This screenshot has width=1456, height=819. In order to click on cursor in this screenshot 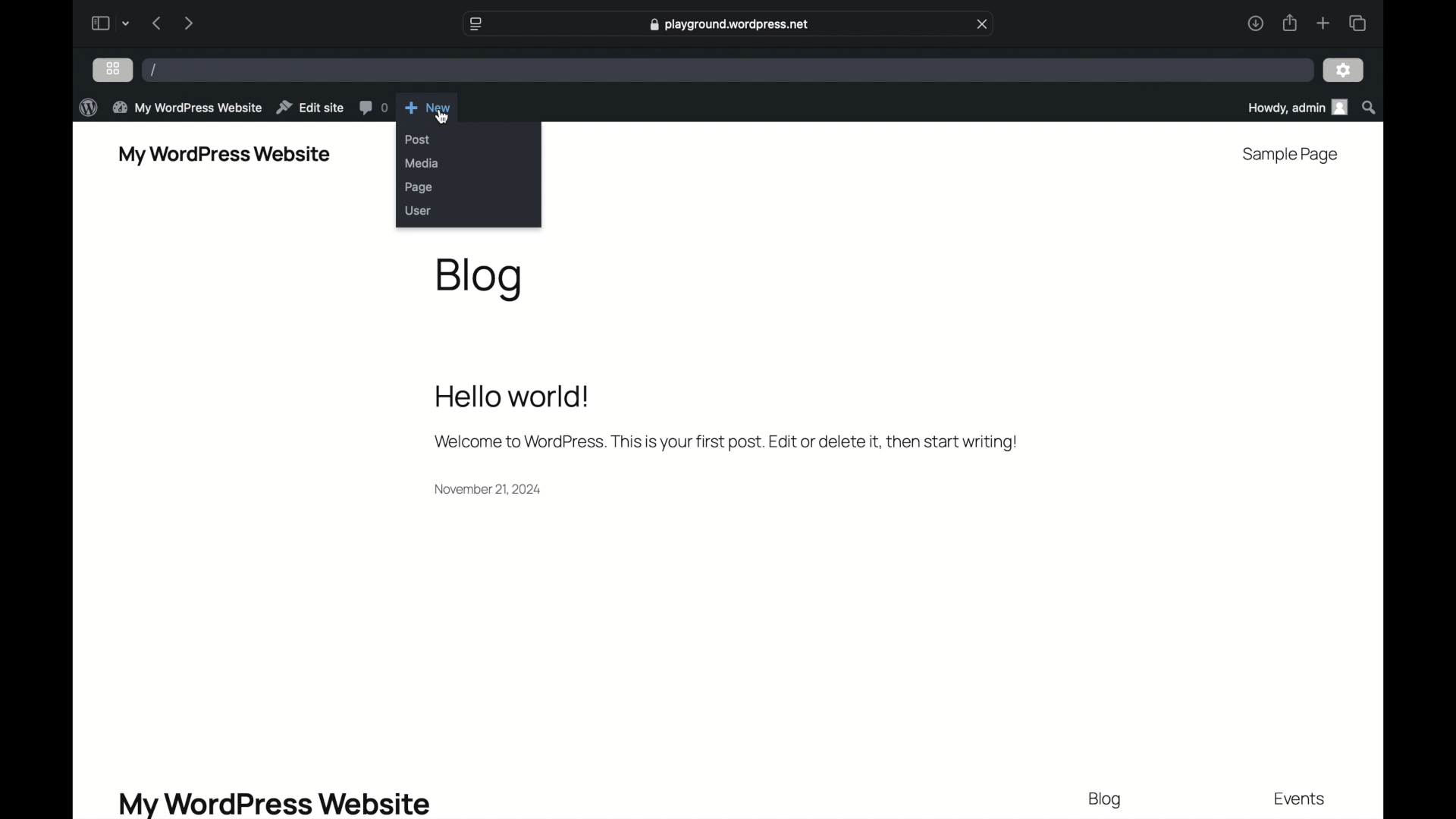, I will do `click(441, 117)`.